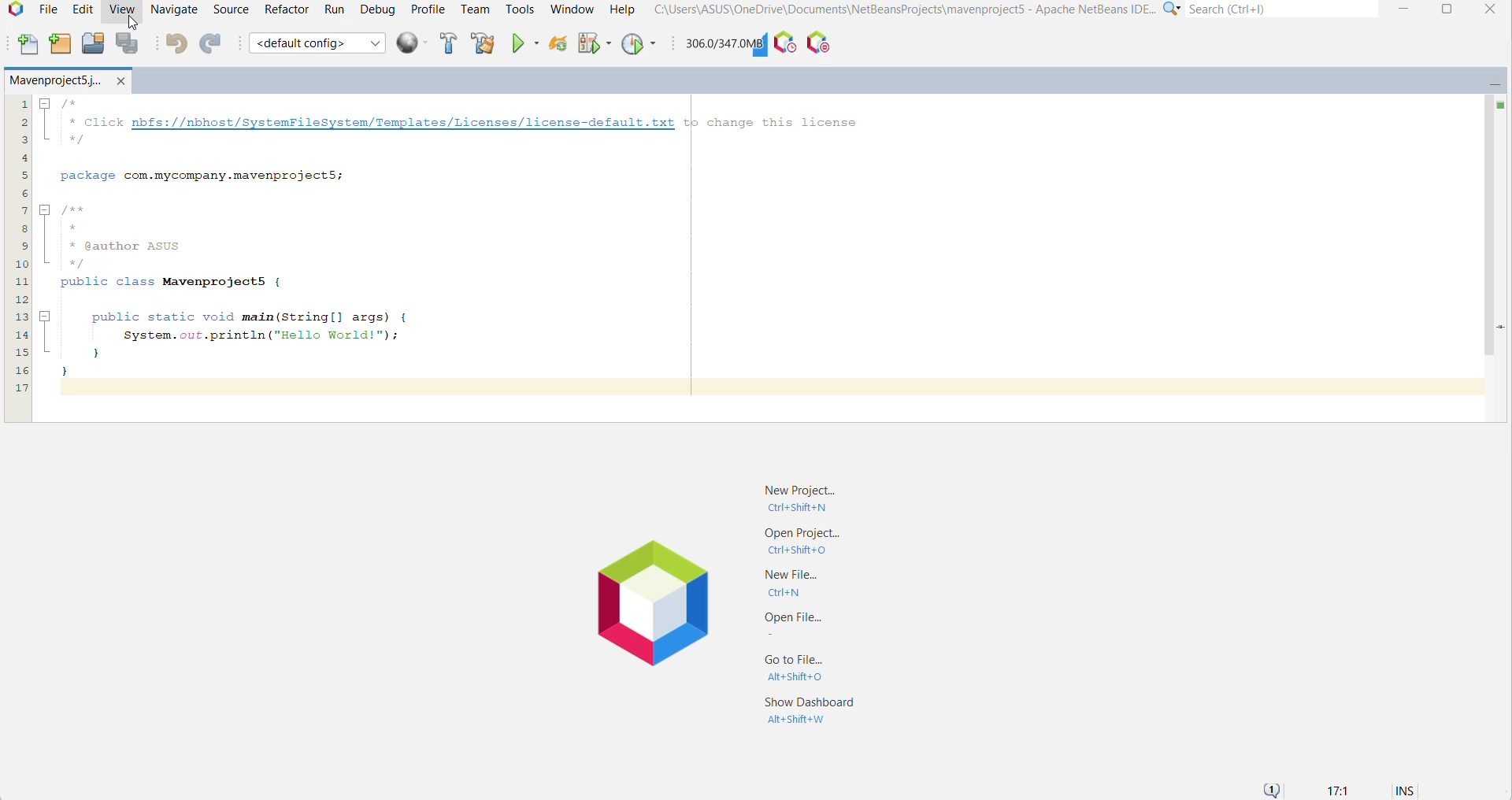 The height and width of the screenshot is (800, 1512). I want to click on public static void main(String[] args) {
7 System.out.println("Hello World!");
}
}, so click(244, 338).